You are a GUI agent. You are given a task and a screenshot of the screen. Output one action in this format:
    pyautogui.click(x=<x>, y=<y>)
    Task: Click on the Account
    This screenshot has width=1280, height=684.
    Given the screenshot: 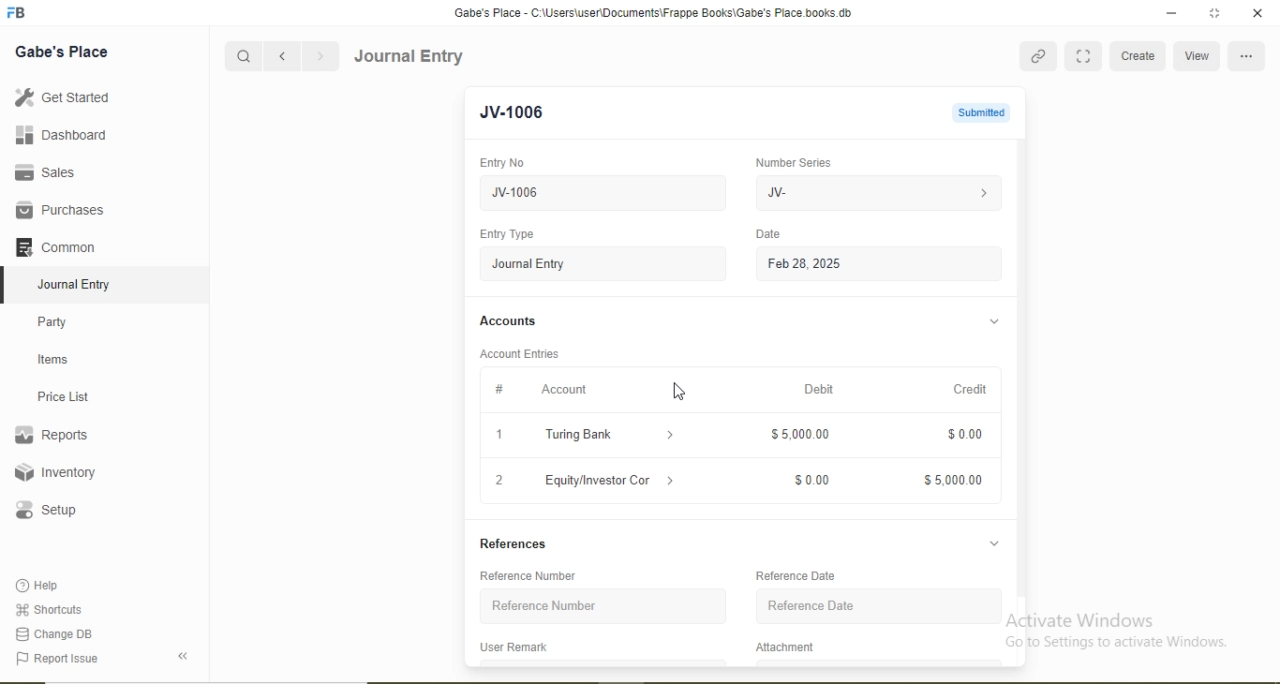 What is the action you would take?
    pyautogui.click(x=564, y=390)
    